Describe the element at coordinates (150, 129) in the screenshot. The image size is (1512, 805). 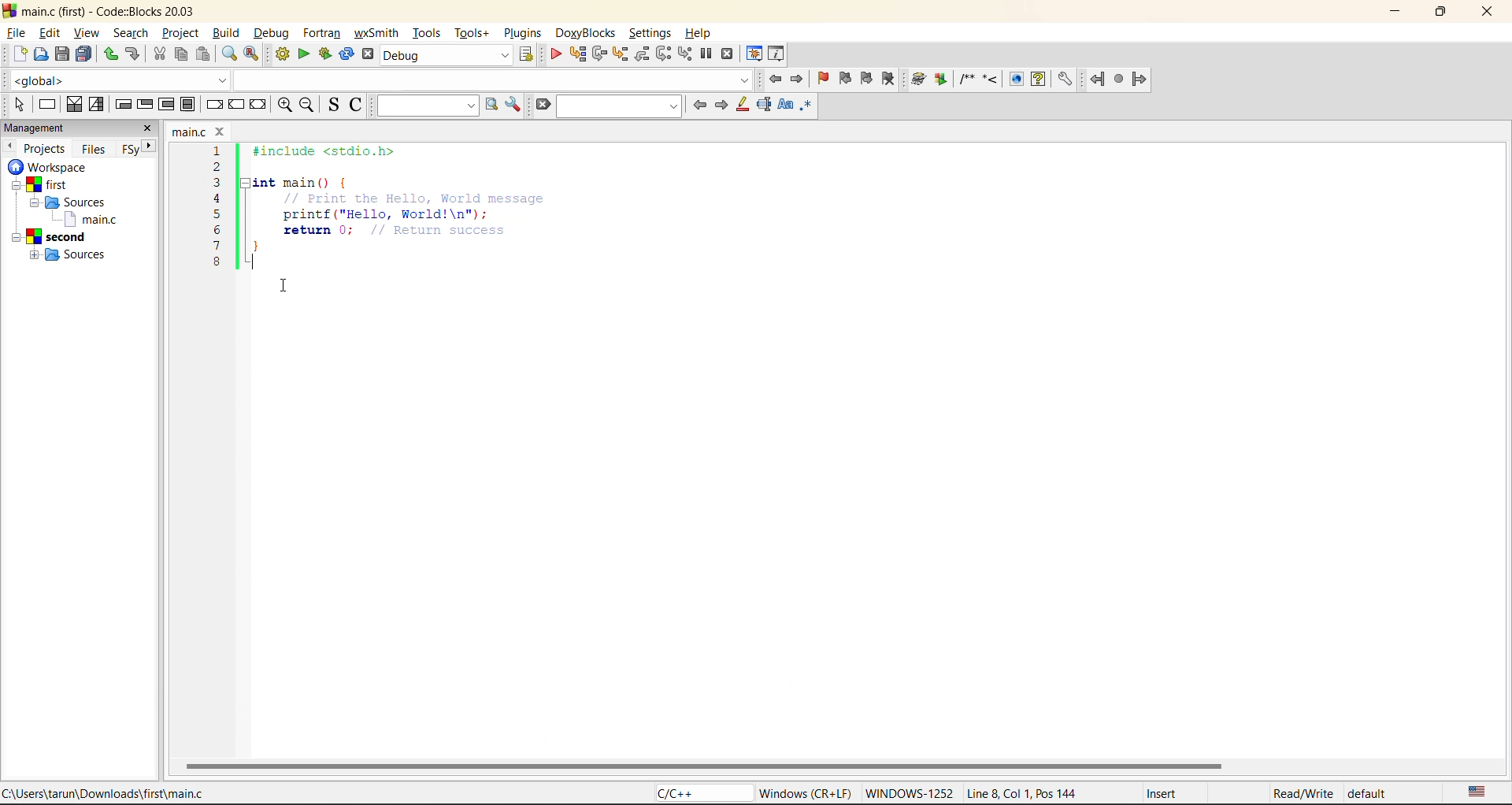
I see `close` at that location.